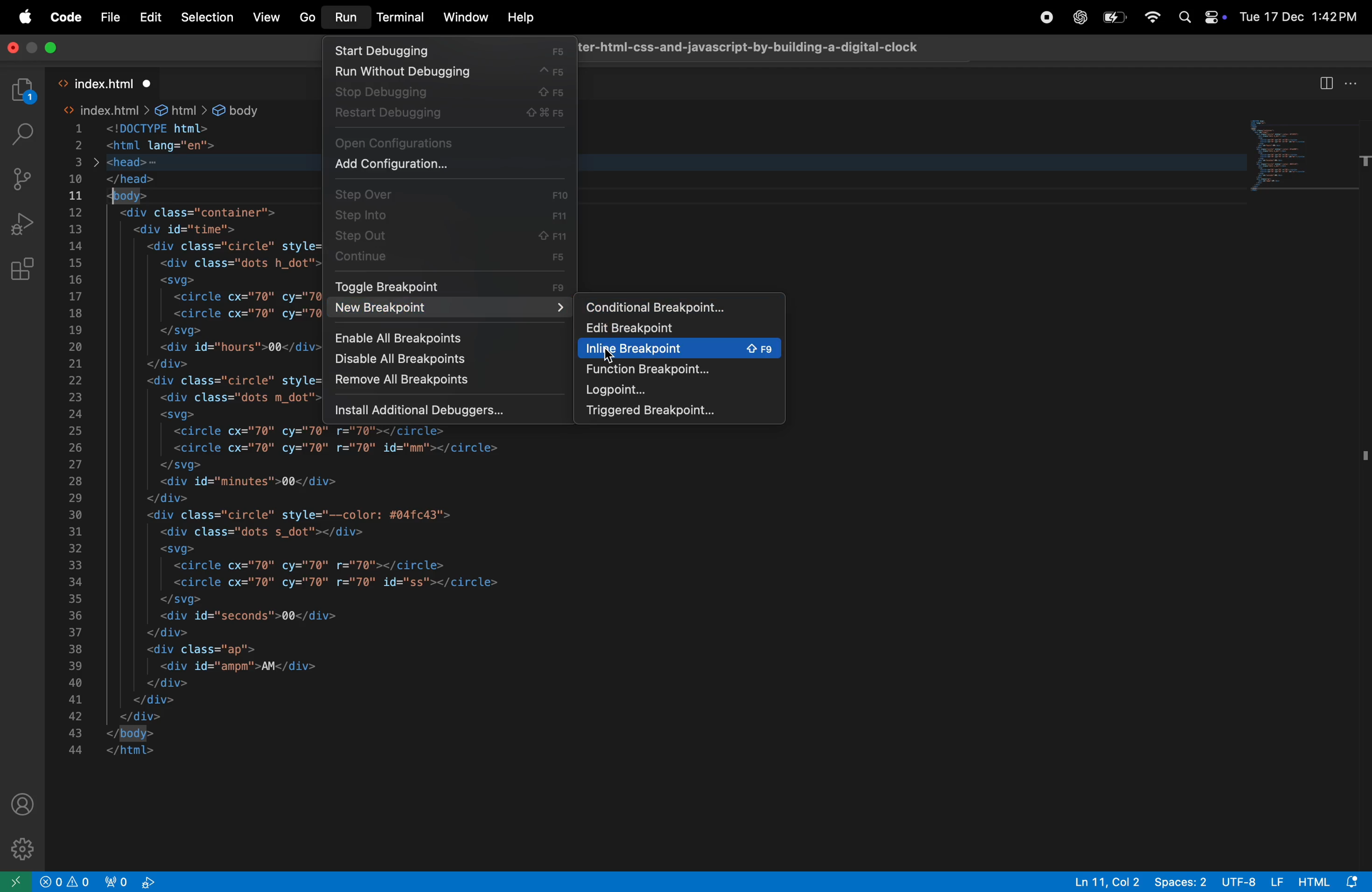 This screenshot has height=892, width=1372. I want to click on log point, so click(676, 390).